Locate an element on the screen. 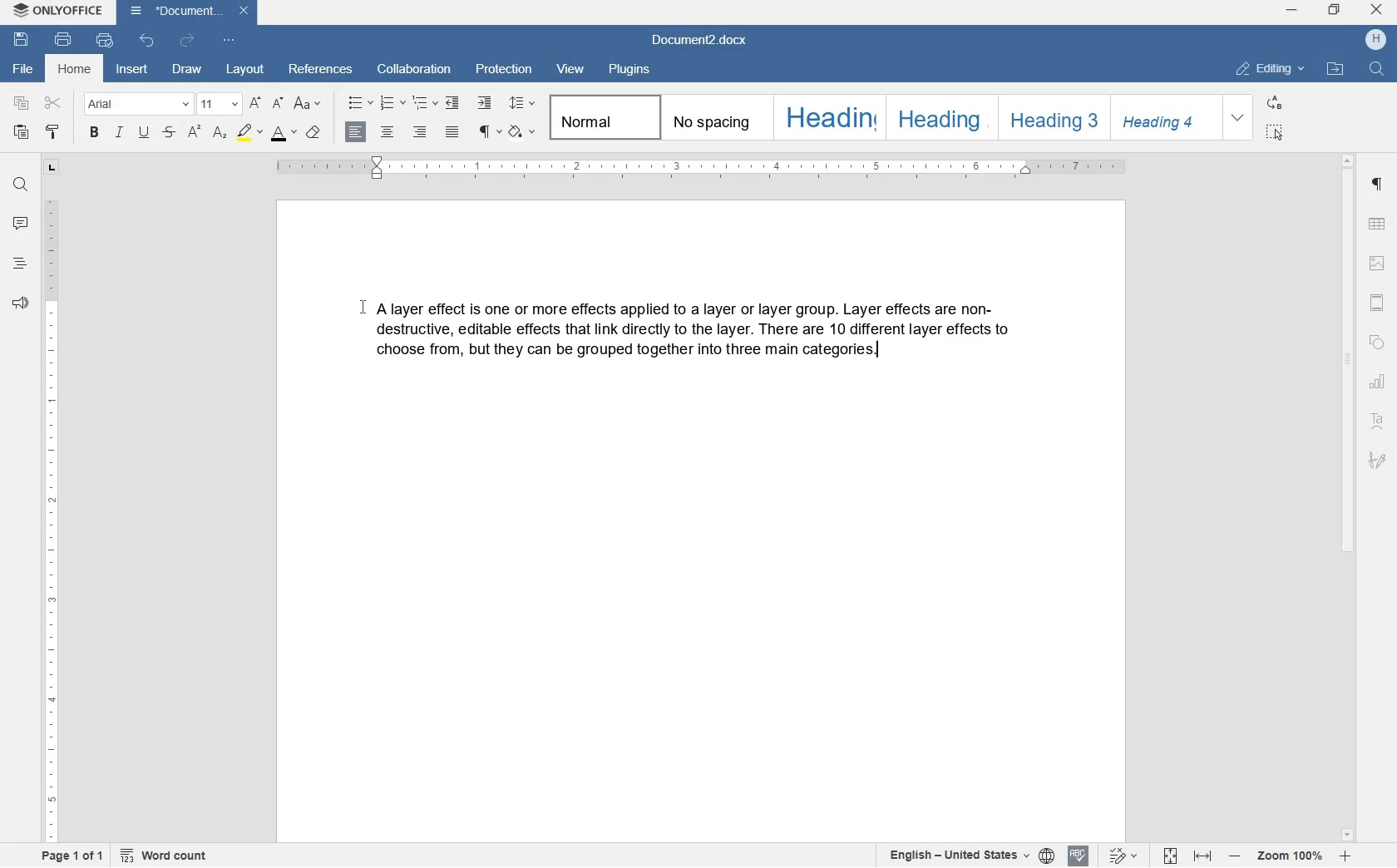 The height and width of the screenshot is (868, 1397). cursor is located at coordinates (363, 308).